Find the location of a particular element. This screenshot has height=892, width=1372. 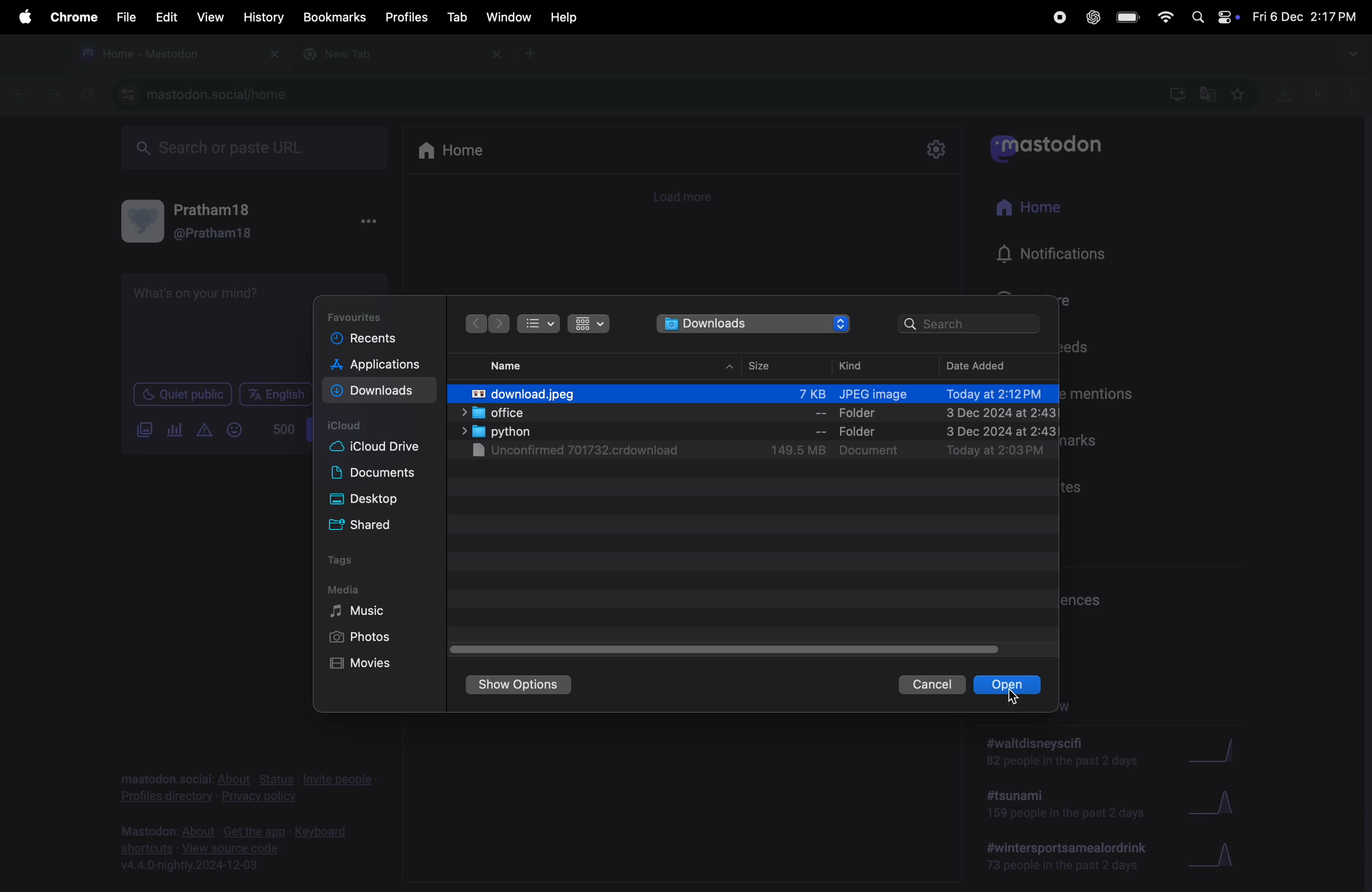

create alert is located at coordinates (203, 433).